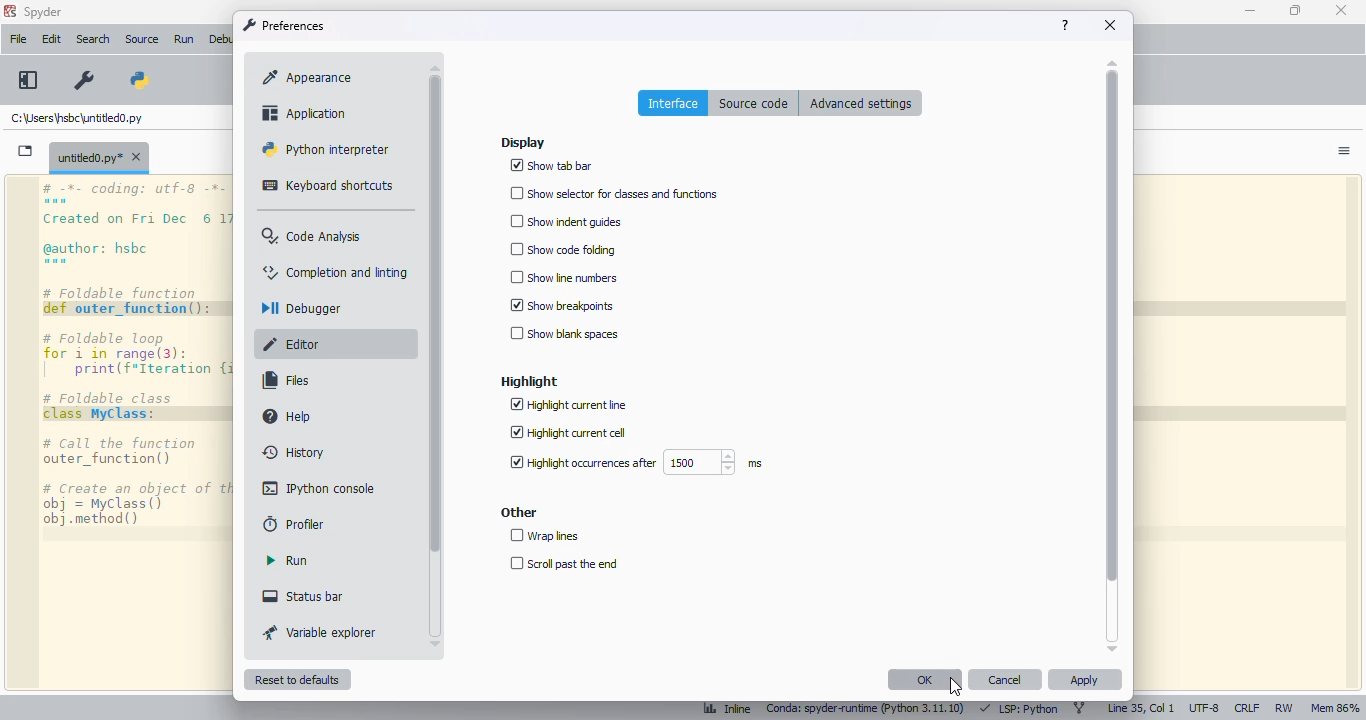 The width and height of the screenshot is (1366, 720). Describe the element at coordinates (324, 148) in the screenshot. I see `python interpreter` at that location.